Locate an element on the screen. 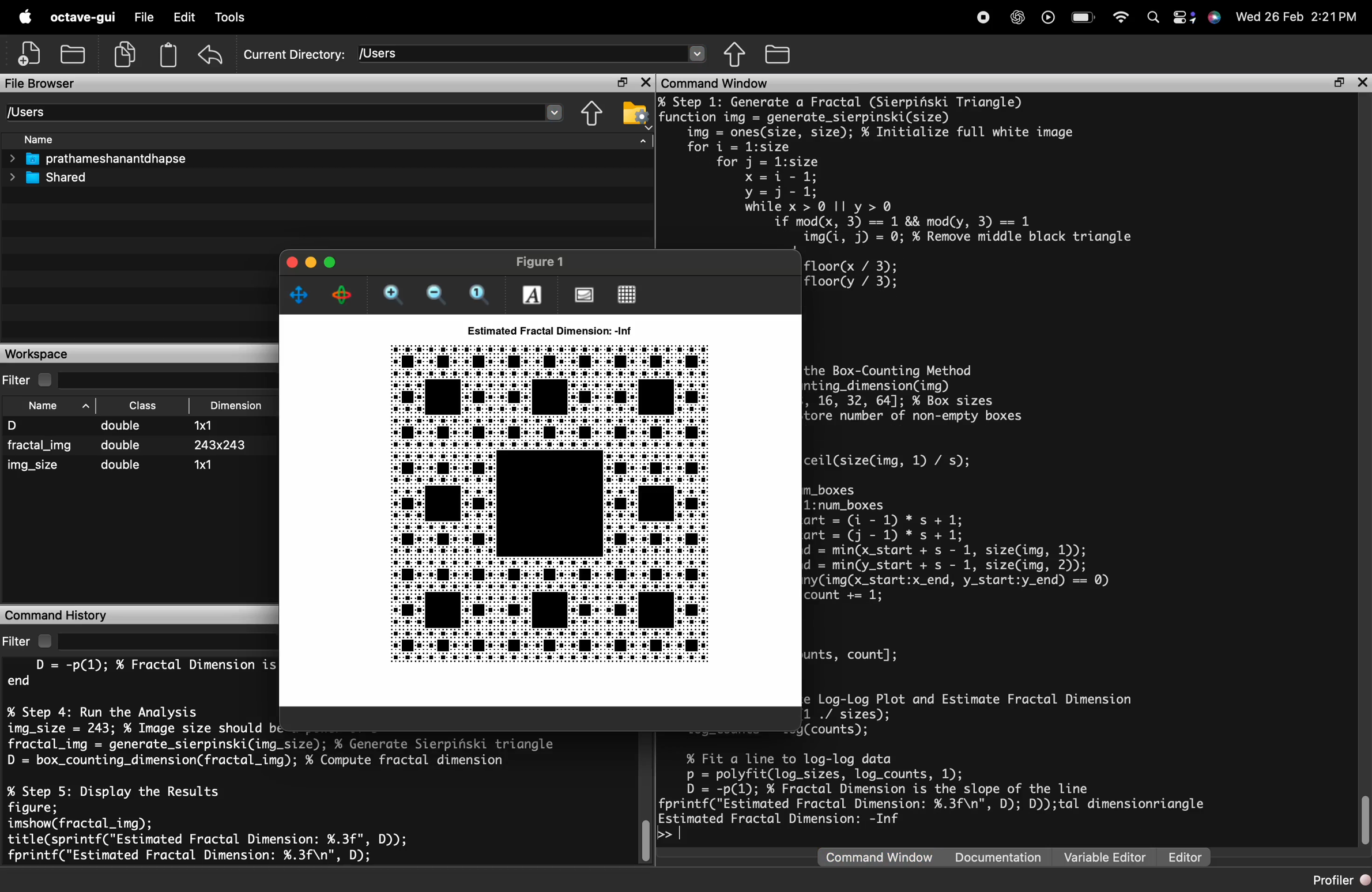 This screenshot has height=892, width=1372. storage is located at coordinates (169, 56).